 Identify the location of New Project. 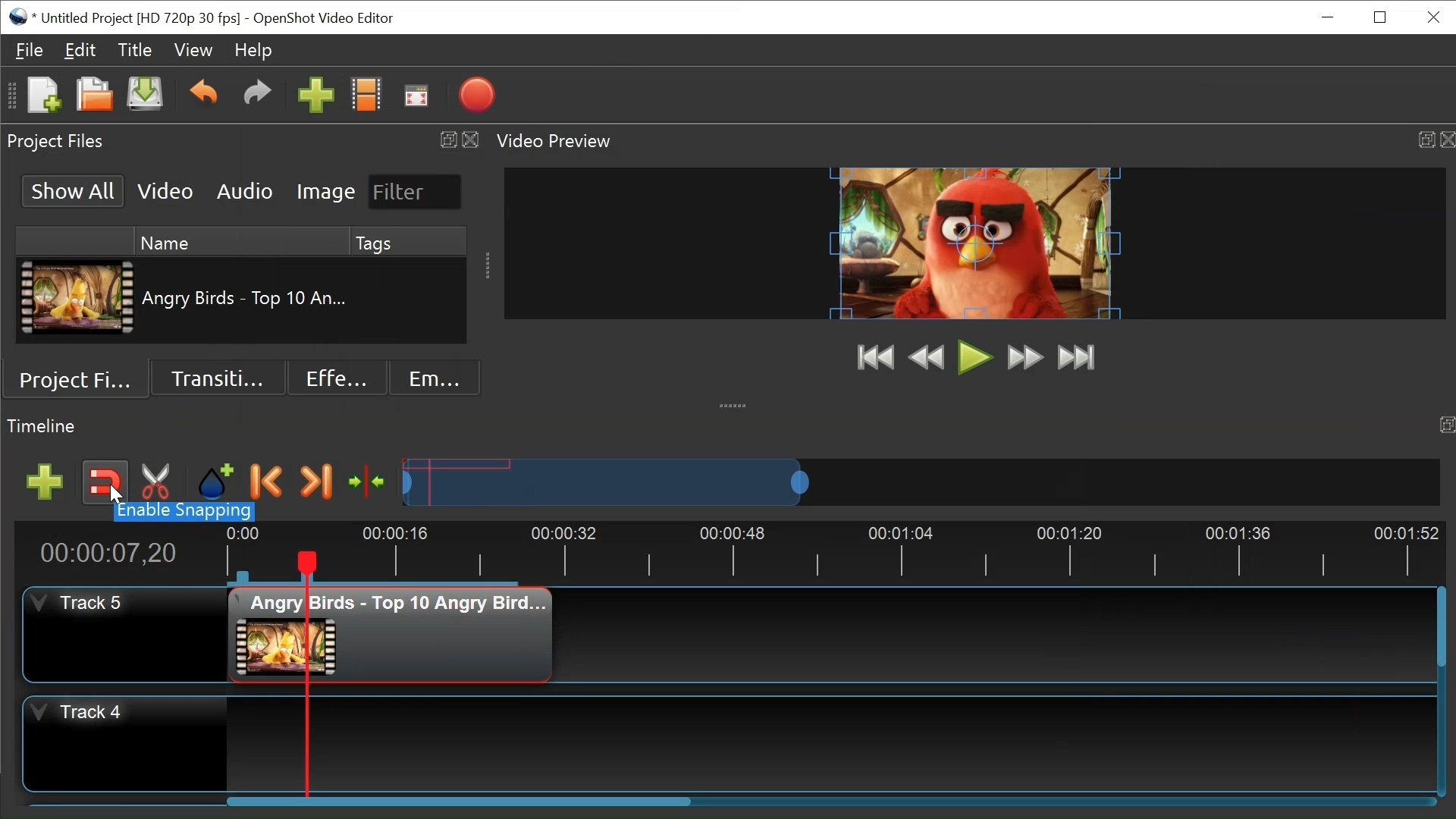
(43, 95).